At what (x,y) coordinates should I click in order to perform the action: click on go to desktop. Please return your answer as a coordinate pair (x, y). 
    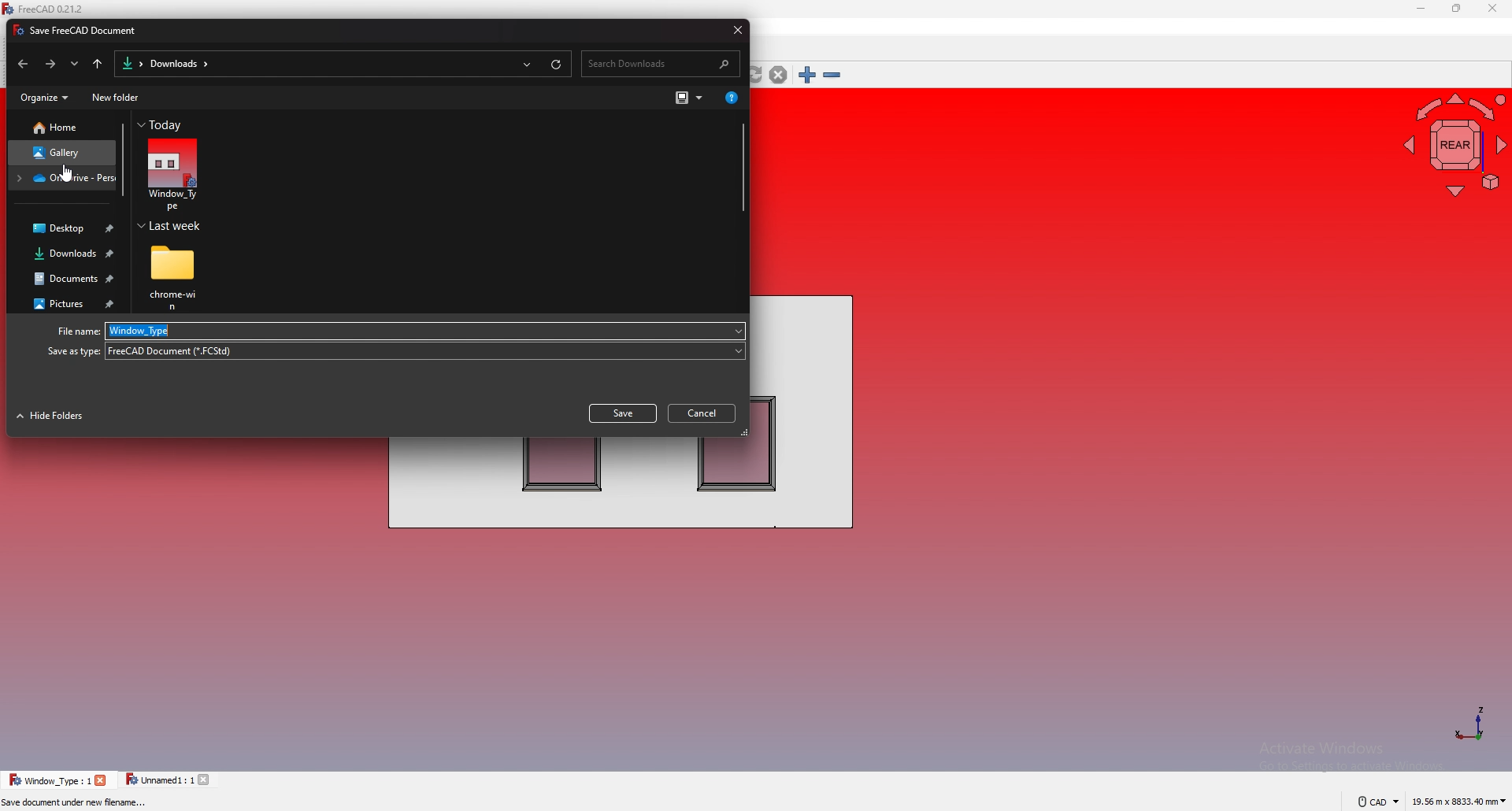
    Looking at the image, I should click on (98, 64).